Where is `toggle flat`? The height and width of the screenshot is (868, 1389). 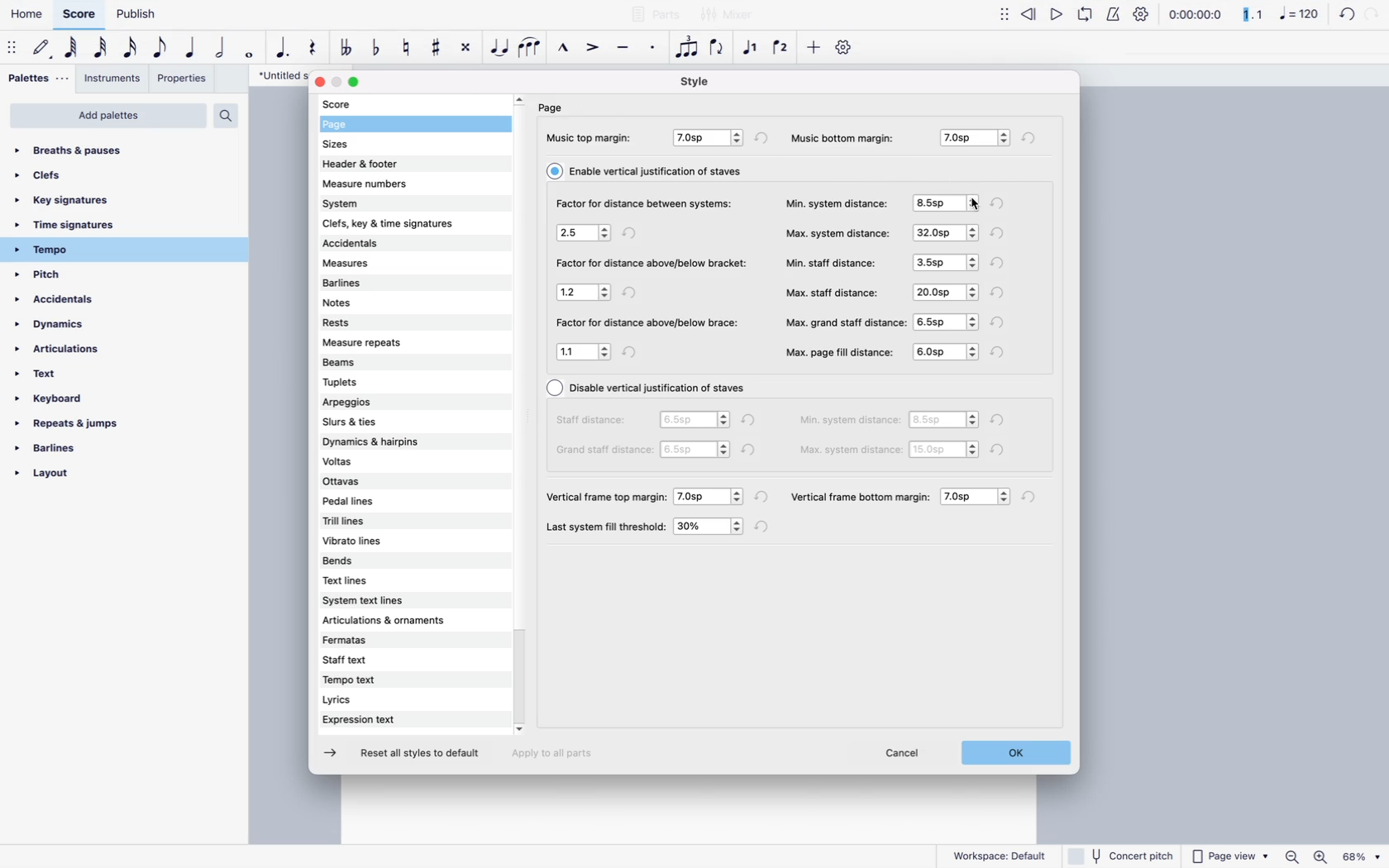 toggle flat is located at coordinates (379, 50).